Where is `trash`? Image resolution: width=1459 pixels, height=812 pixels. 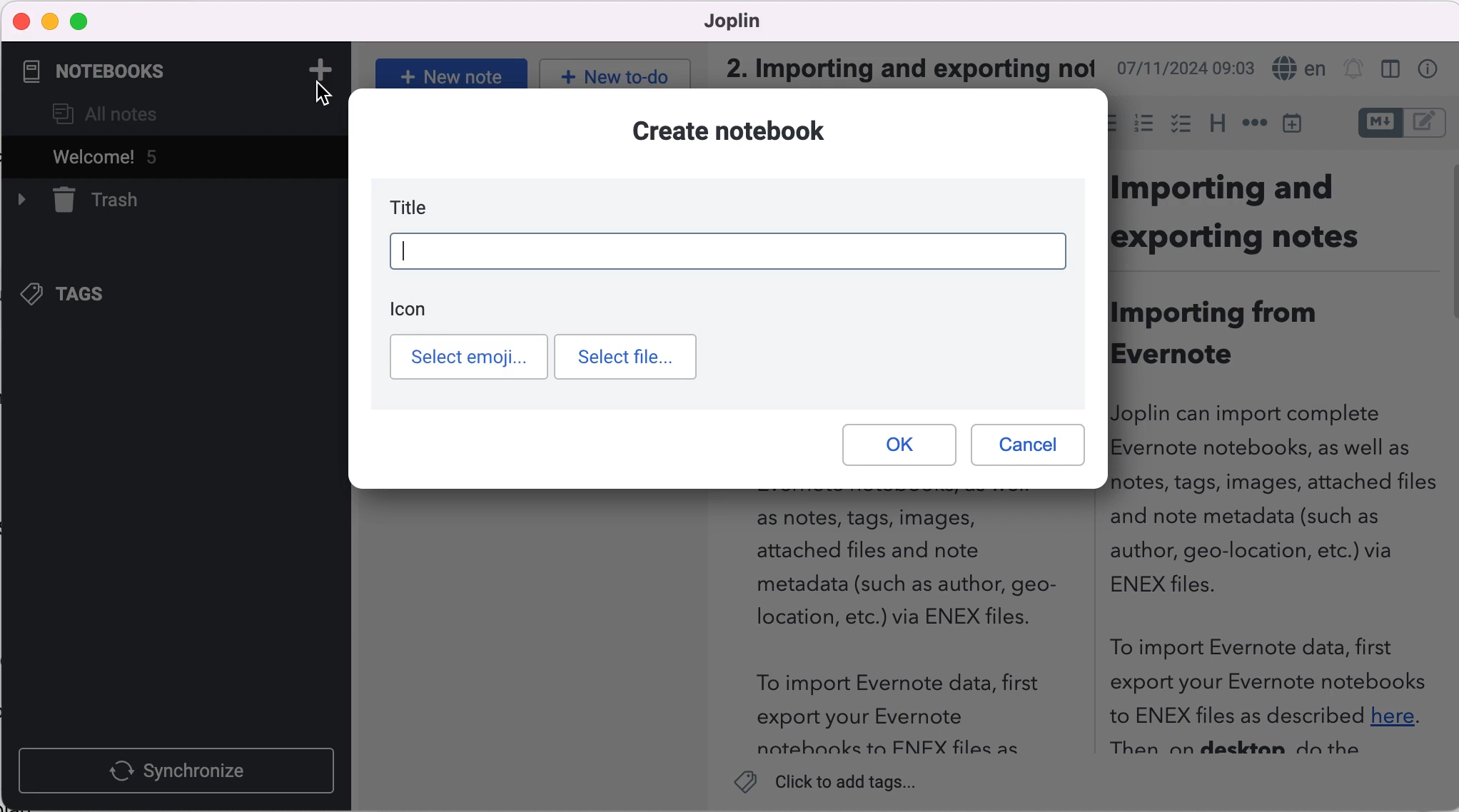
trash is located at coordinates (101, 201).